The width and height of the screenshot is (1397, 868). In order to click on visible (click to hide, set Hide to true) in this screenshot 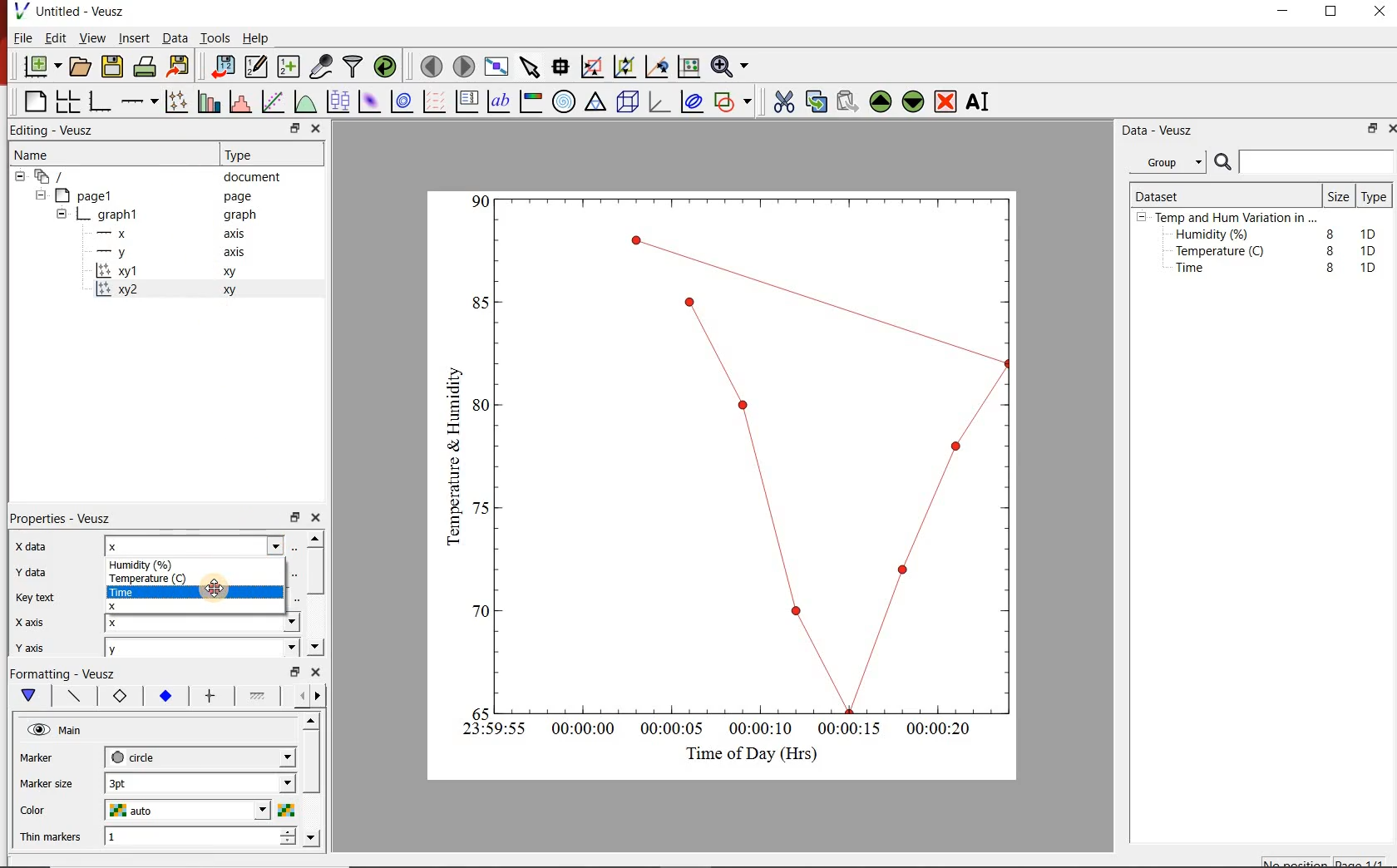, I will do `click(37, 731)`.